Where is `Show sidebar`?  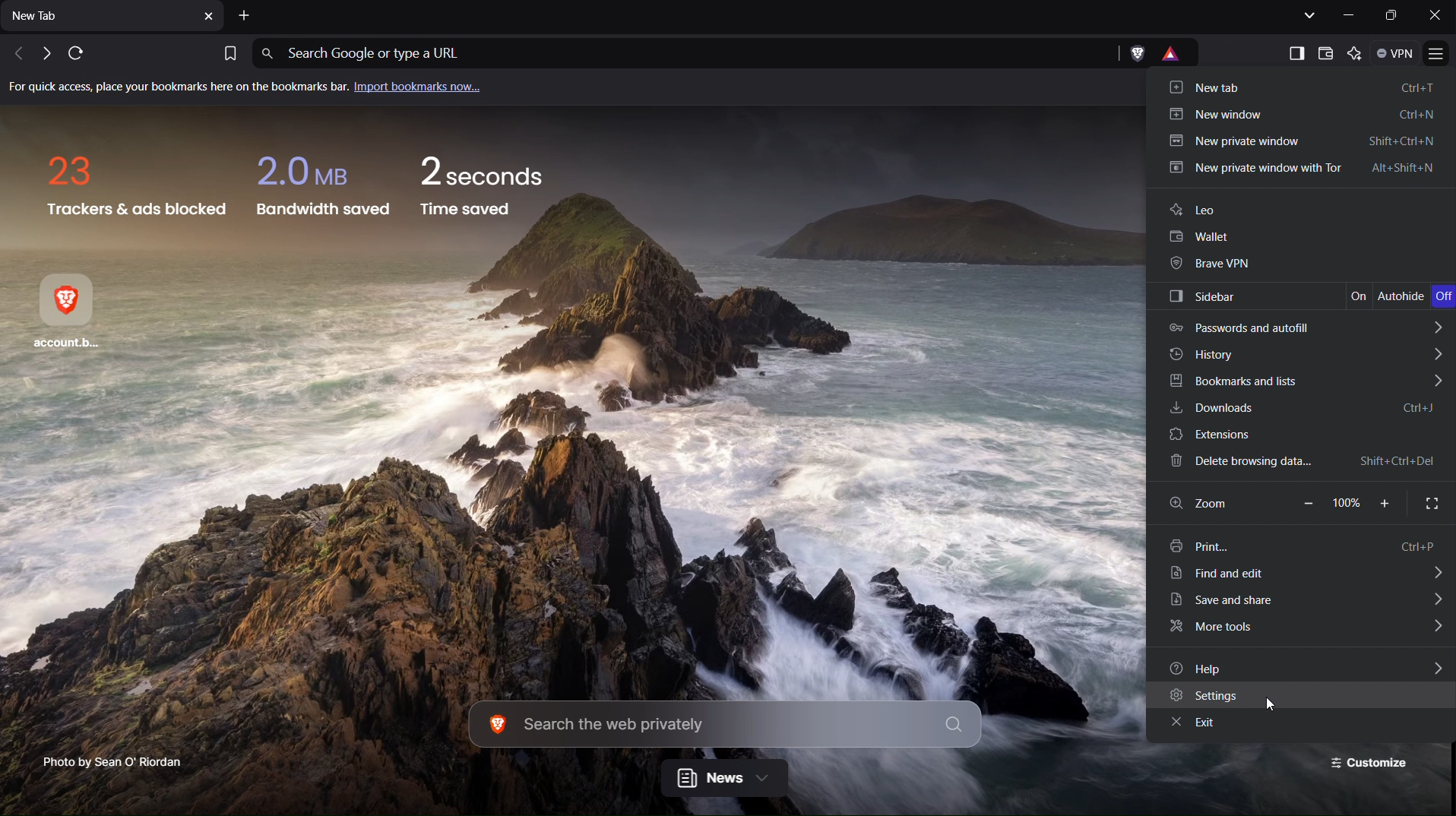 Show sidebar is located at coordinates (1293, 52).